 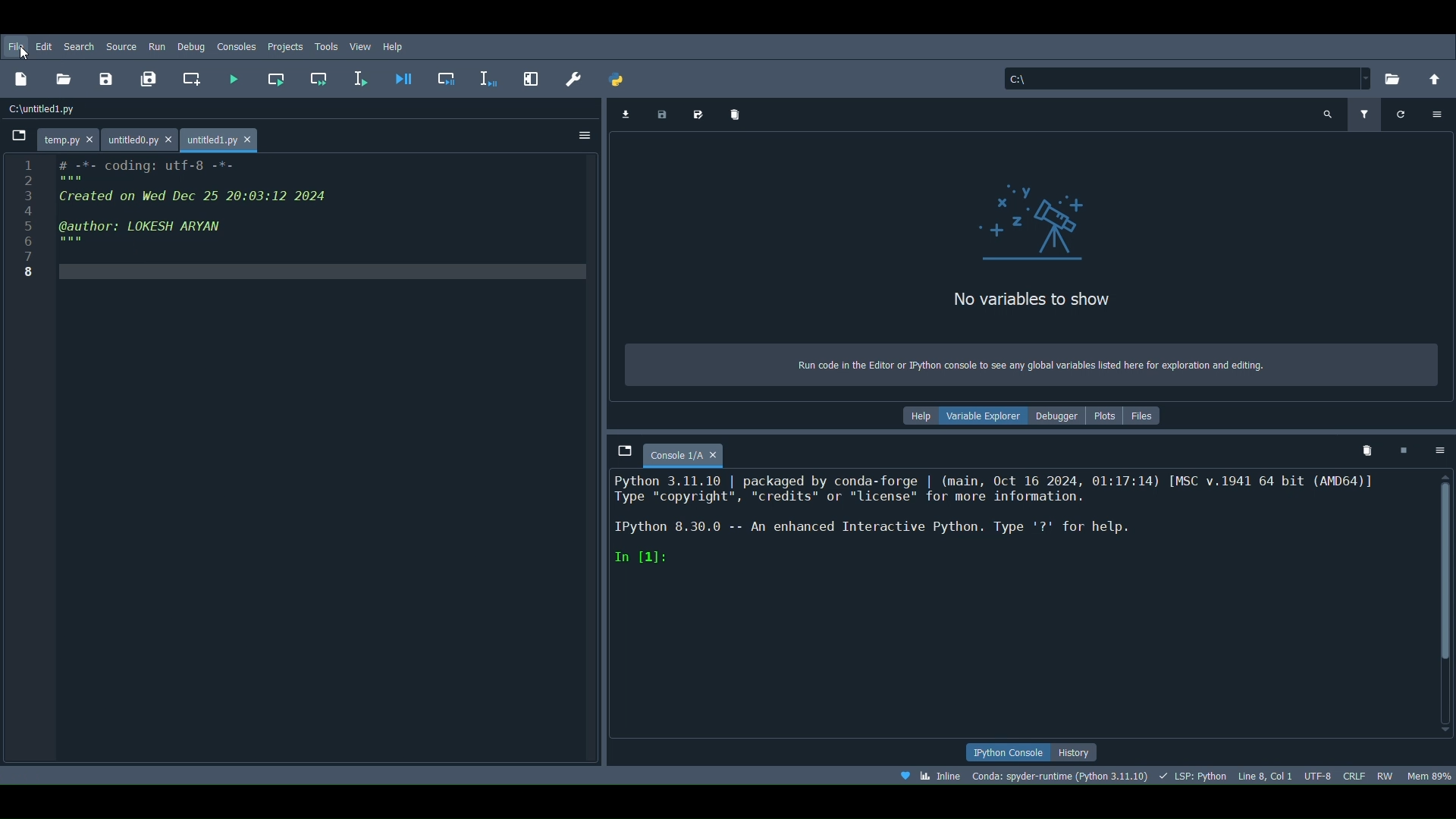 I want to click on Global memory usage, so click(x=1428, y=773).